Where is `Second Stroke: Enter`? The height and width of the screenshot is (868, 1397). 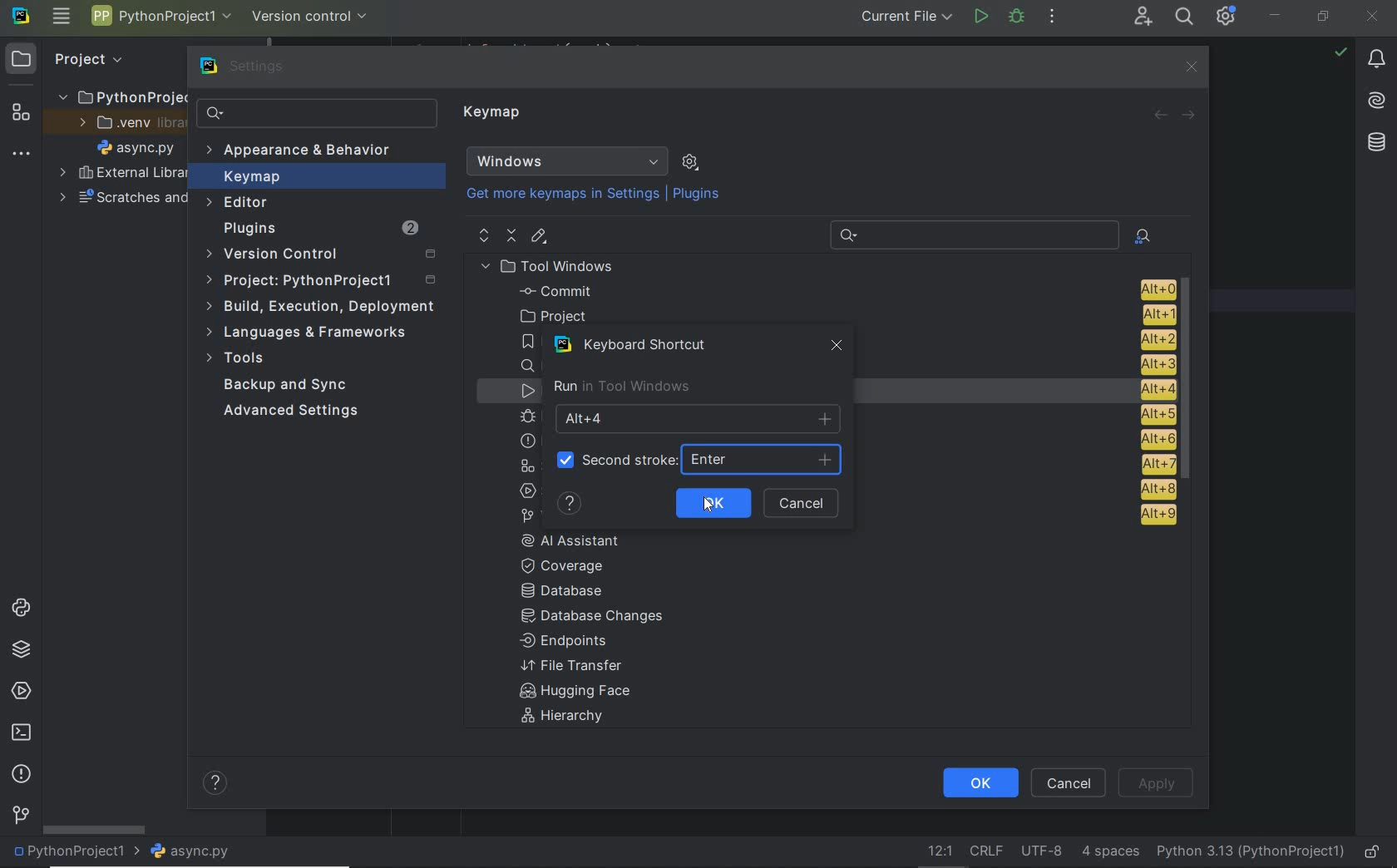 Second Stroke: Enter is located at coordinates (697, 459).